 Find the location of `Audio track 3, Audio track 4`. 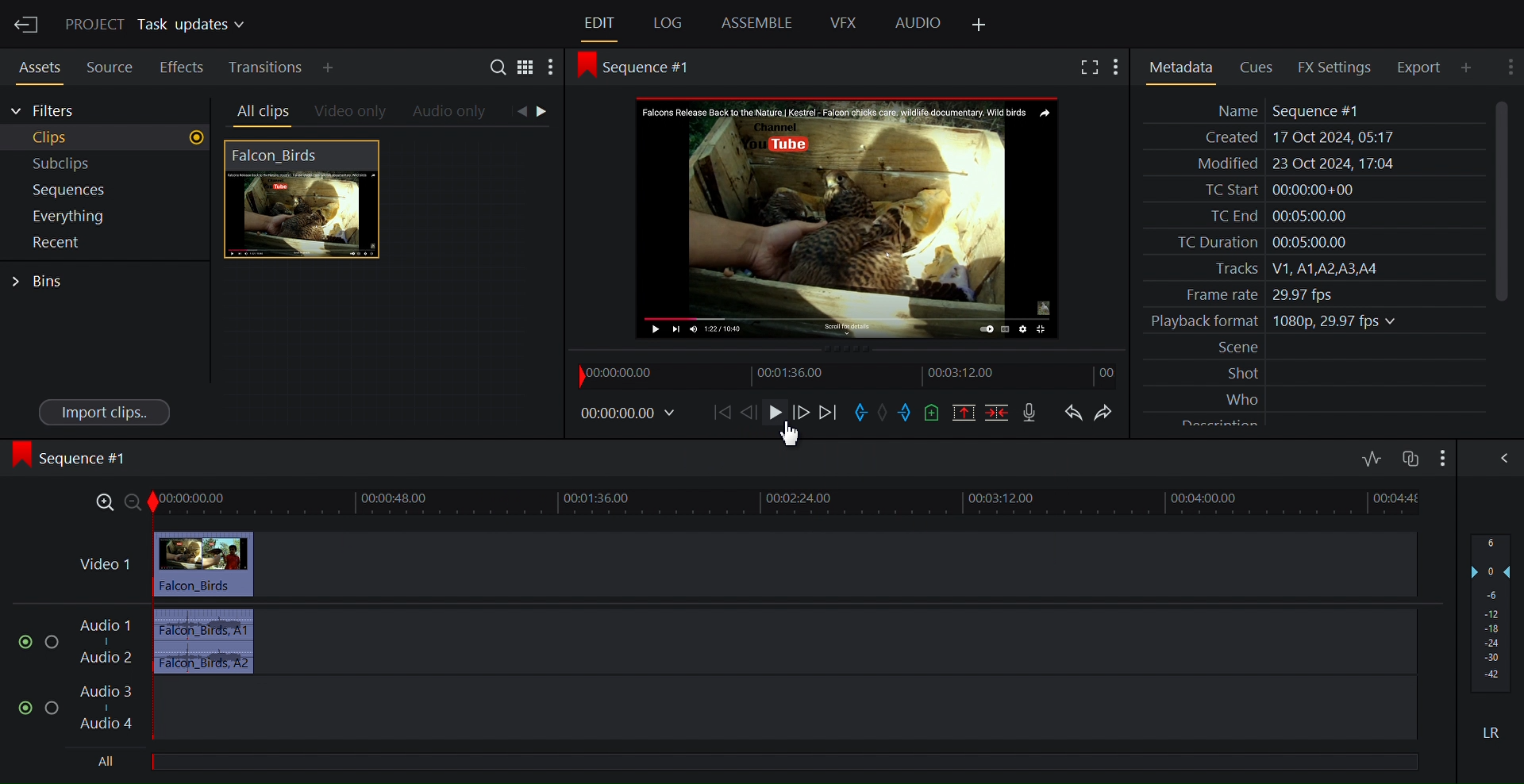

Audio track 3, Audio track 4 is located at coordinates (749, 709).